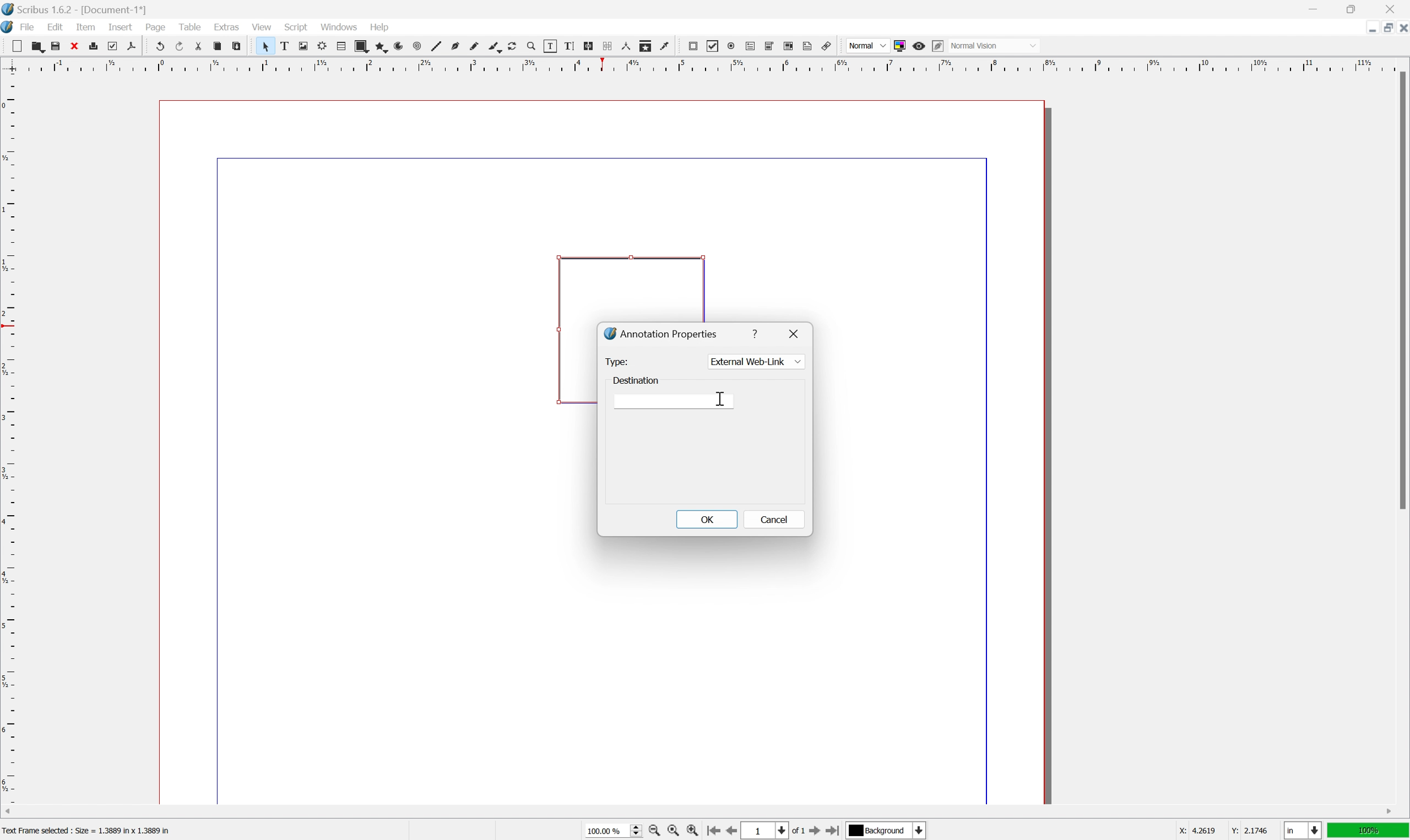 This screenshot has height=840, width=1410. What do you see at coordinates (589, 46) in the screenshot?
I see `link text frames` at bounding box center [589, 46].